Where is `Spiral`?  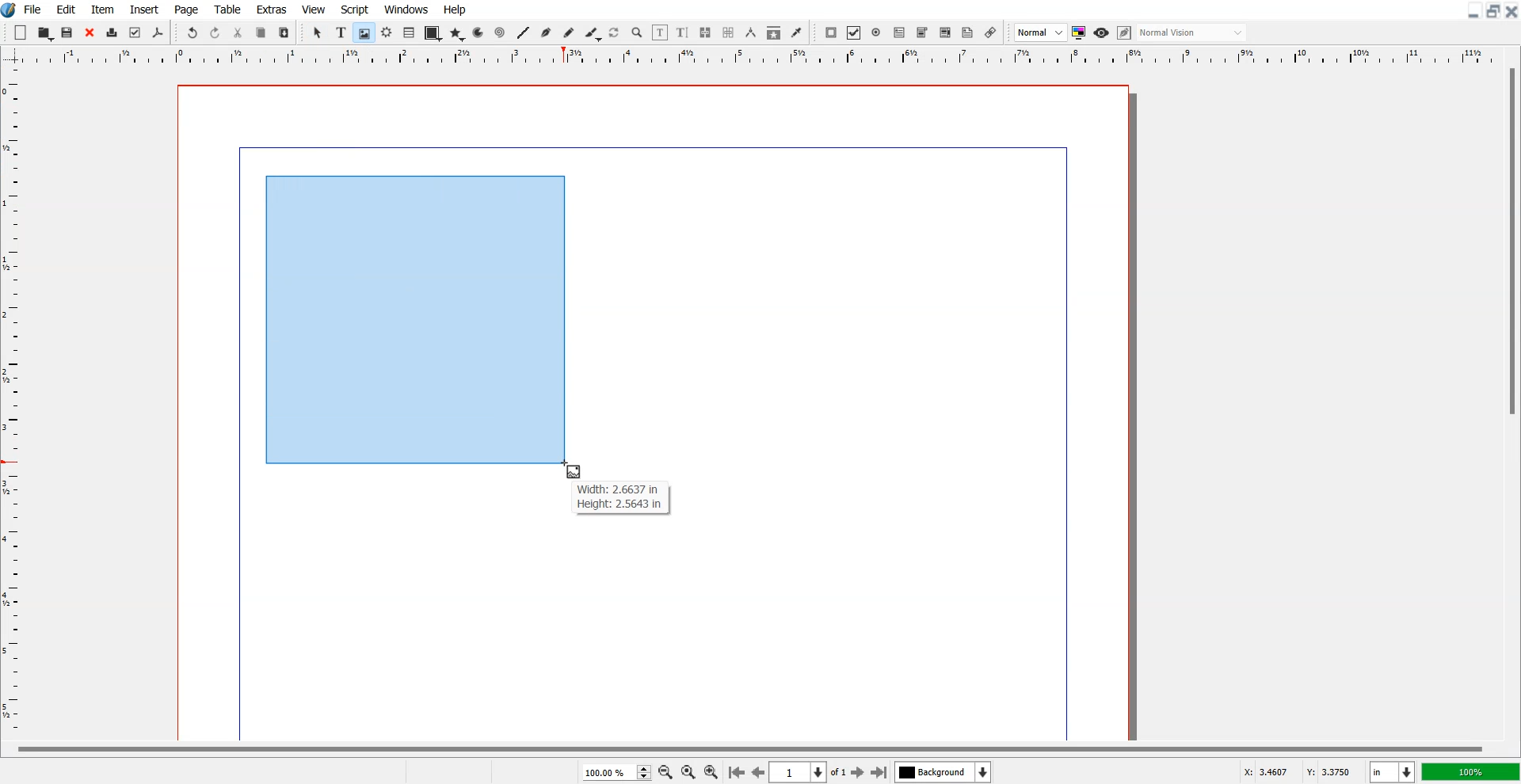
Spiral is located at coordinates (499, 32).